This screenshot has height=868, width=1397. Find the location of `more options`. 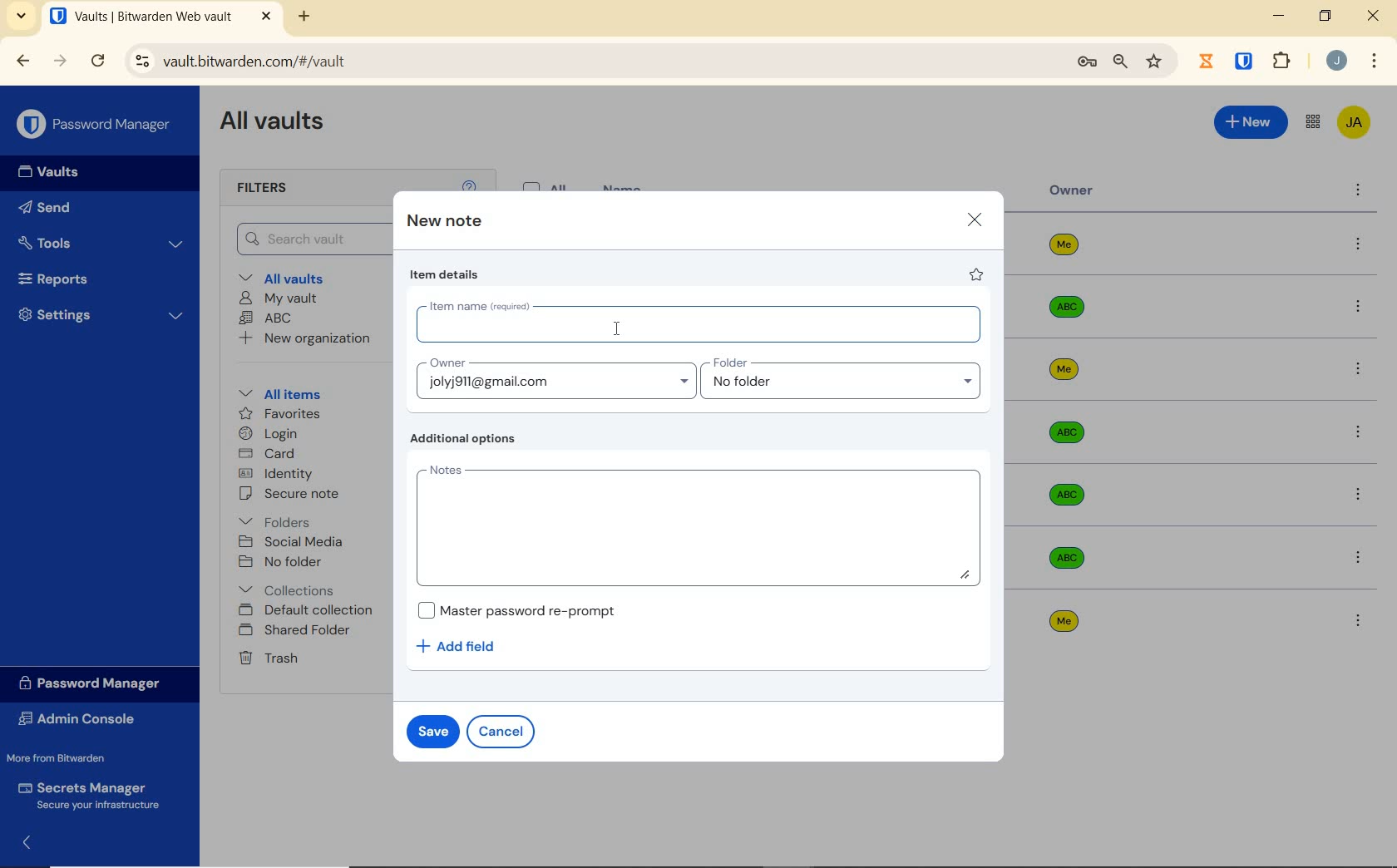

more options is located at coordinates (1358, 192).